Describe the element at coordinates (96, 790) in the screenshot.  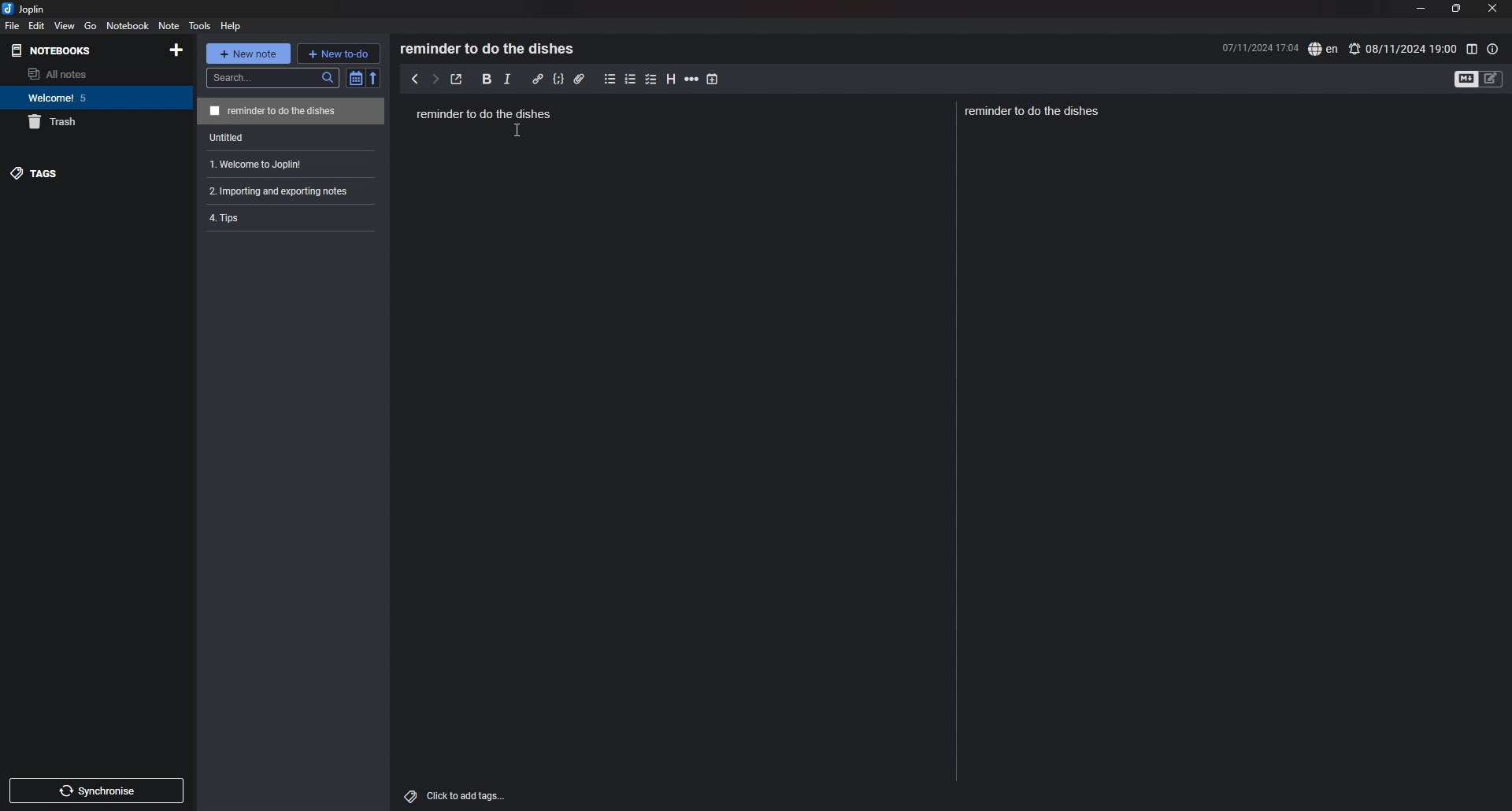
I see `sync` at that location.